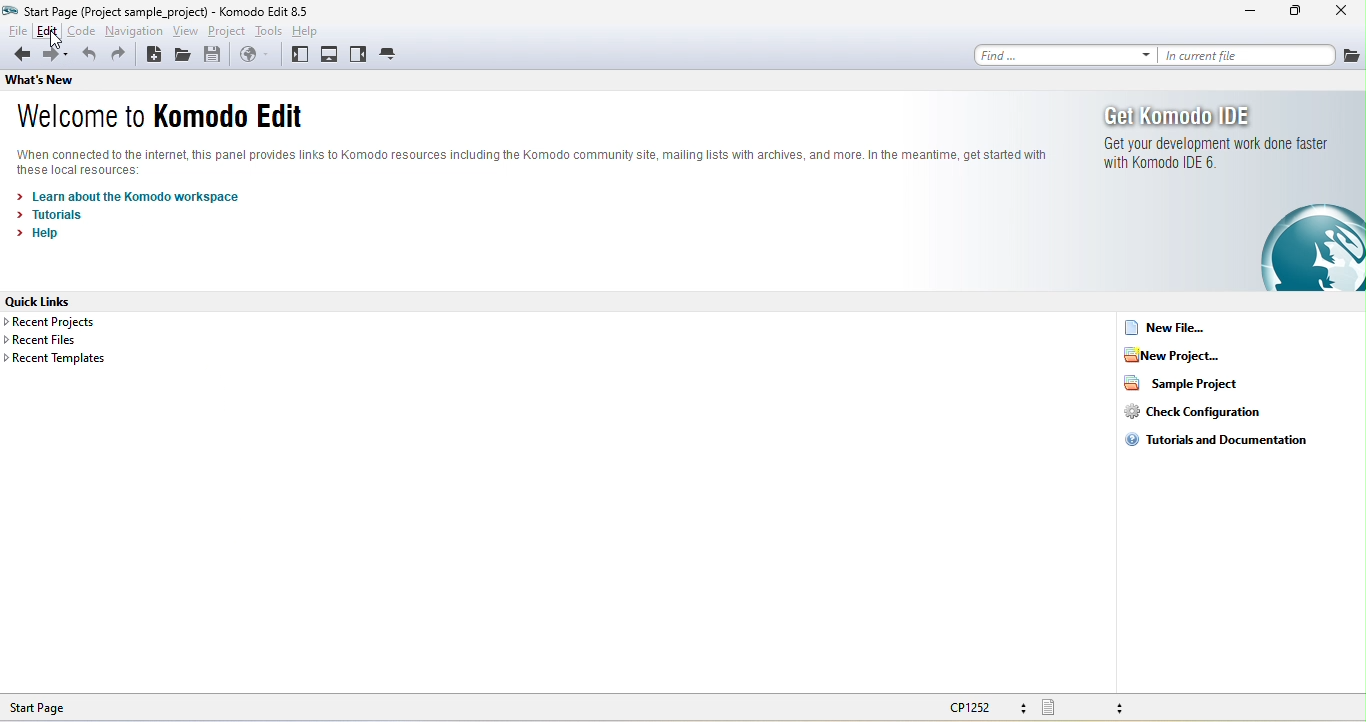  Describe the element at coordinates (15, 31) in the screenshot. I see `file` at that location.